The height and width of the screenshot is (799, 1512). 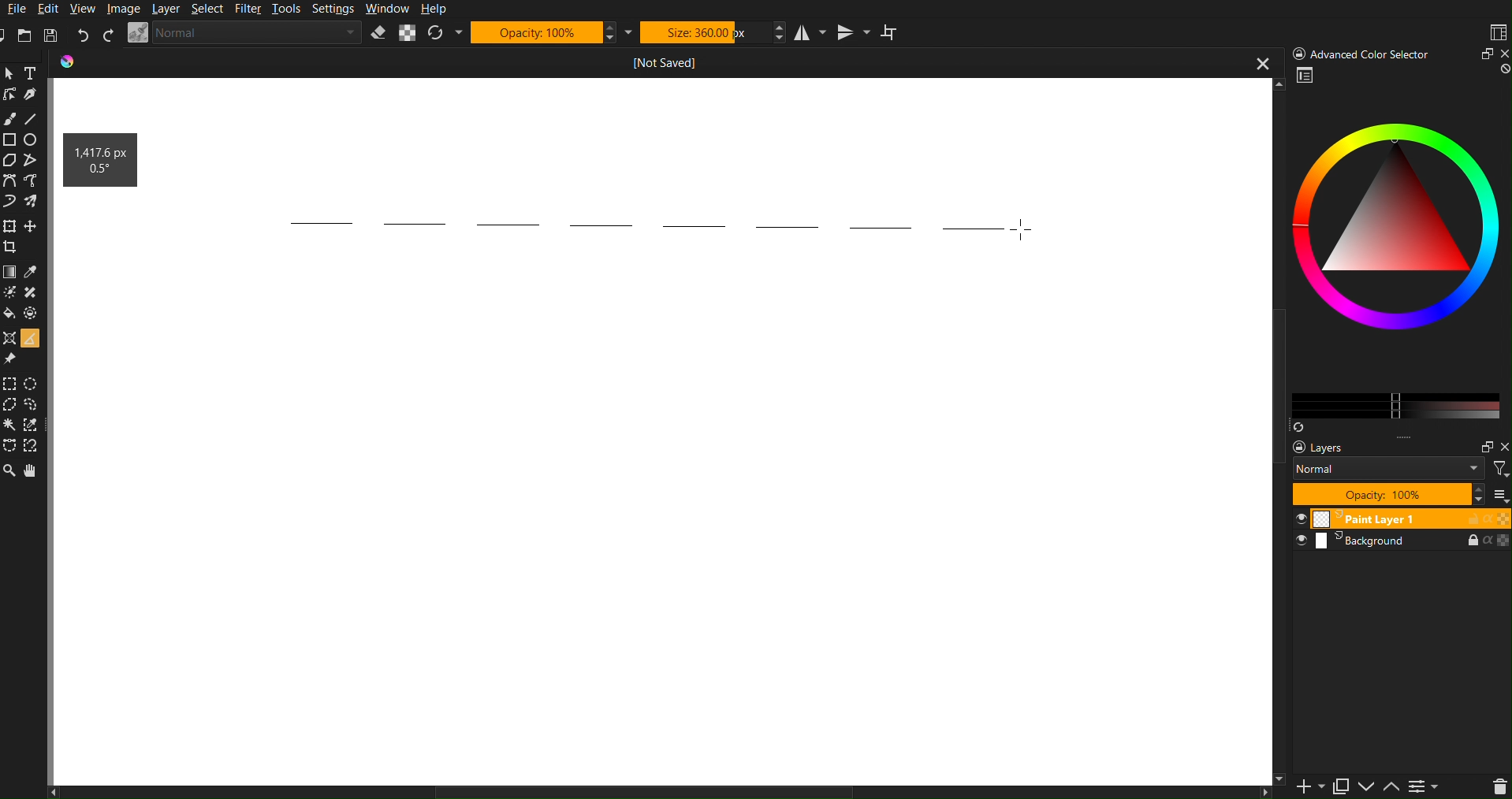 I want to click on Settings, so click(x=1431, y=786).